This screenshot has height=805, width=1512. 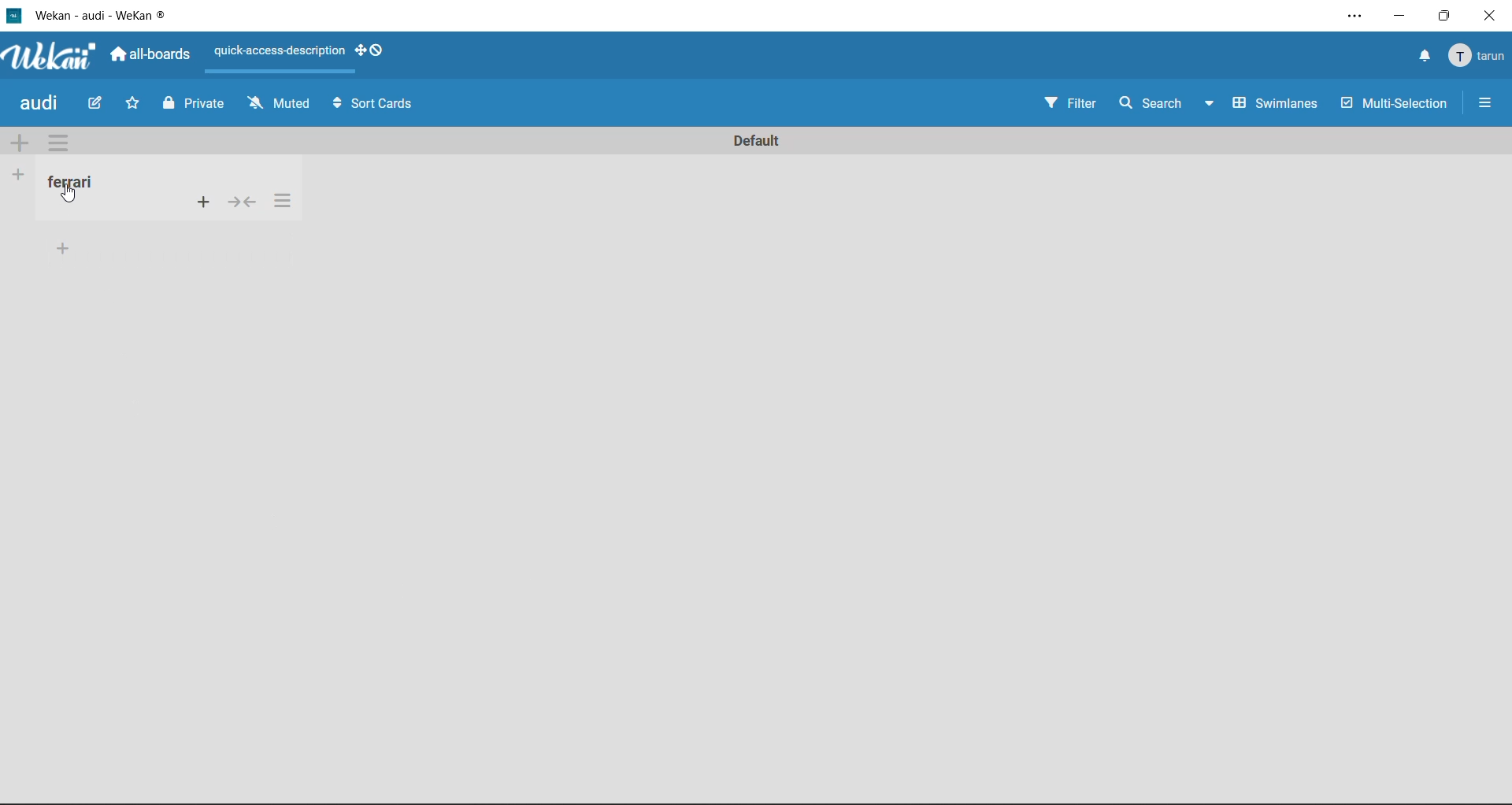 I want to click on list actions, so click(x=287, y=203).